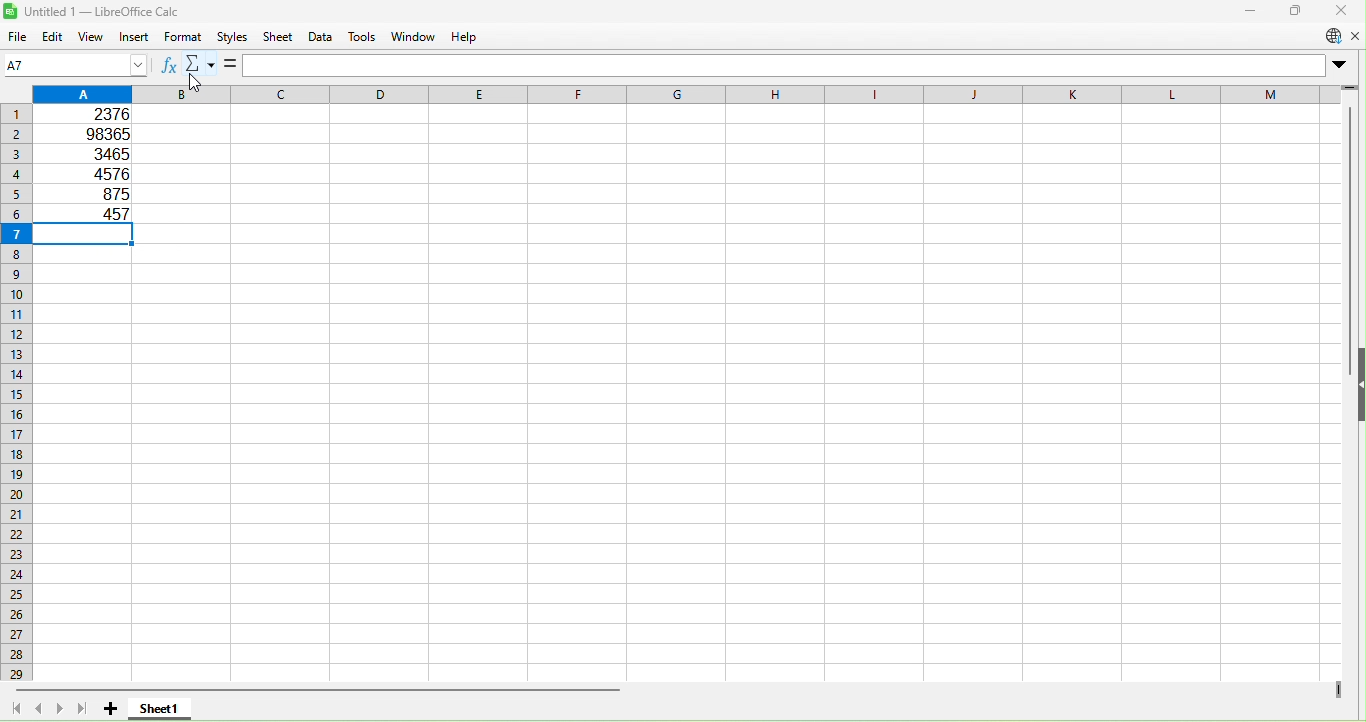 Image resolution: width=1366 pixels, height=722 pixels. I want to click on Sheet1, so click(159, 707).